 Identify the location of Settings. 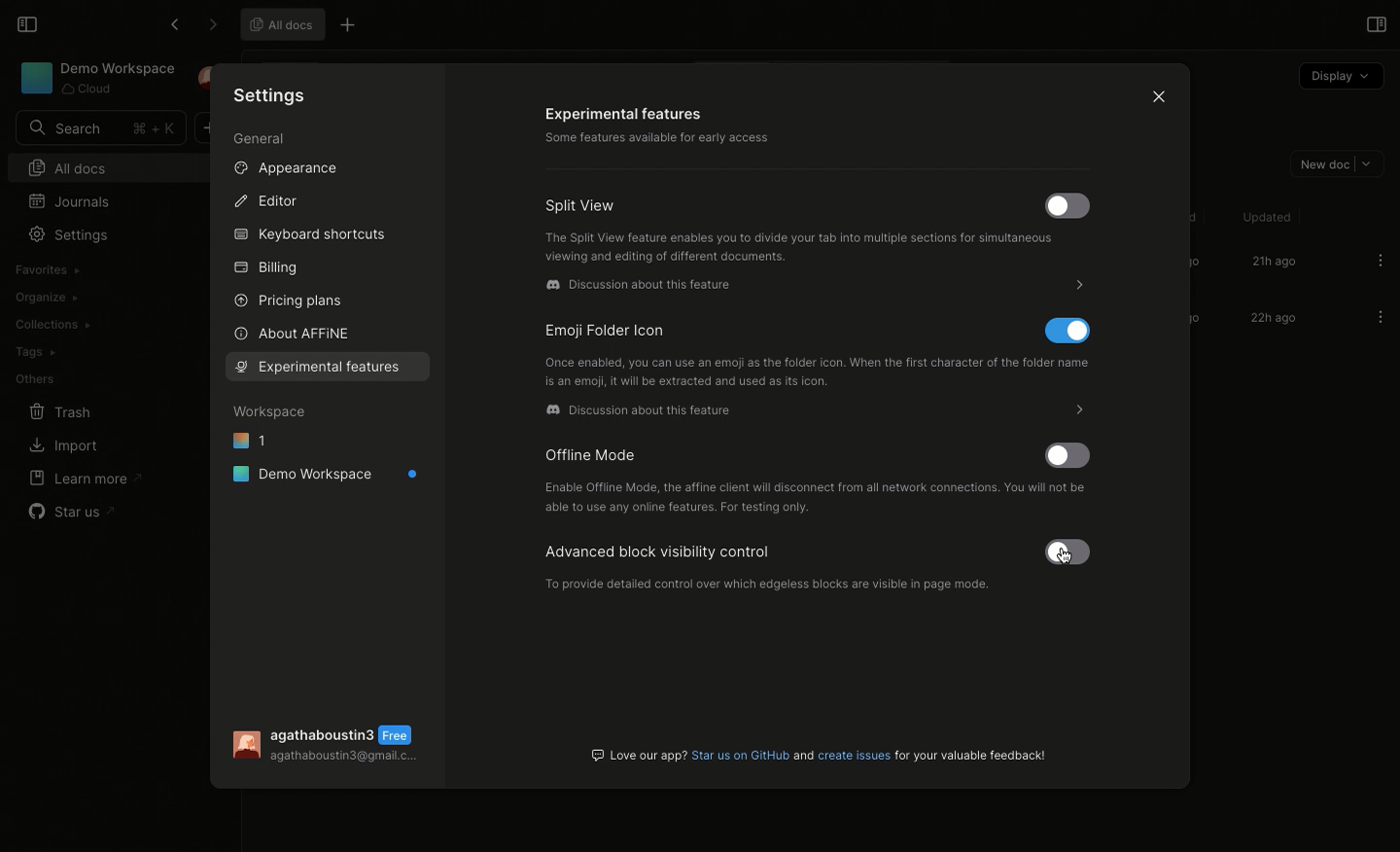
(272, 94).